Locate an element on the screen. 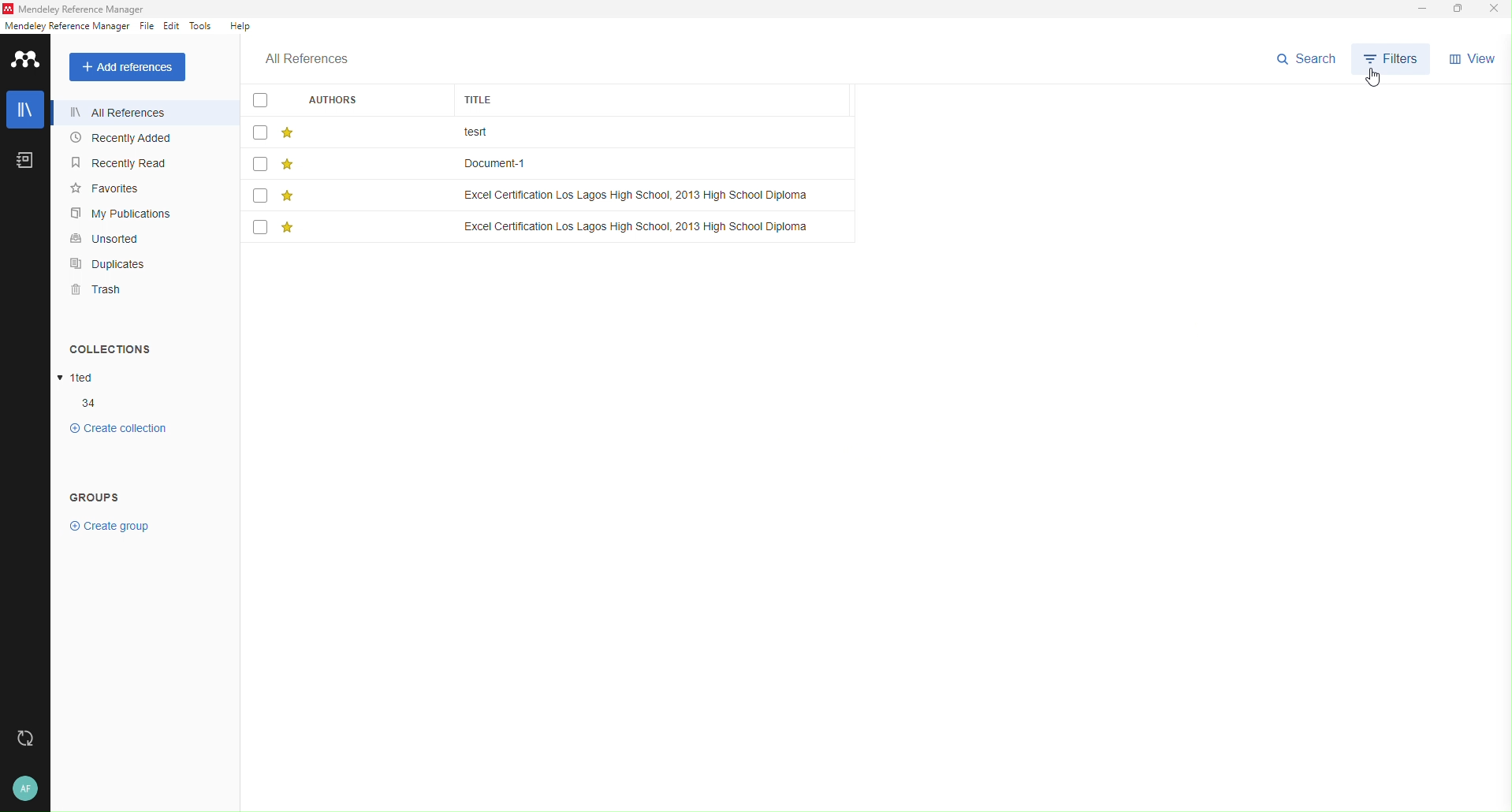 The height and width of the screenshot is (812, 1512). All references is located at coordinates (307, 58).